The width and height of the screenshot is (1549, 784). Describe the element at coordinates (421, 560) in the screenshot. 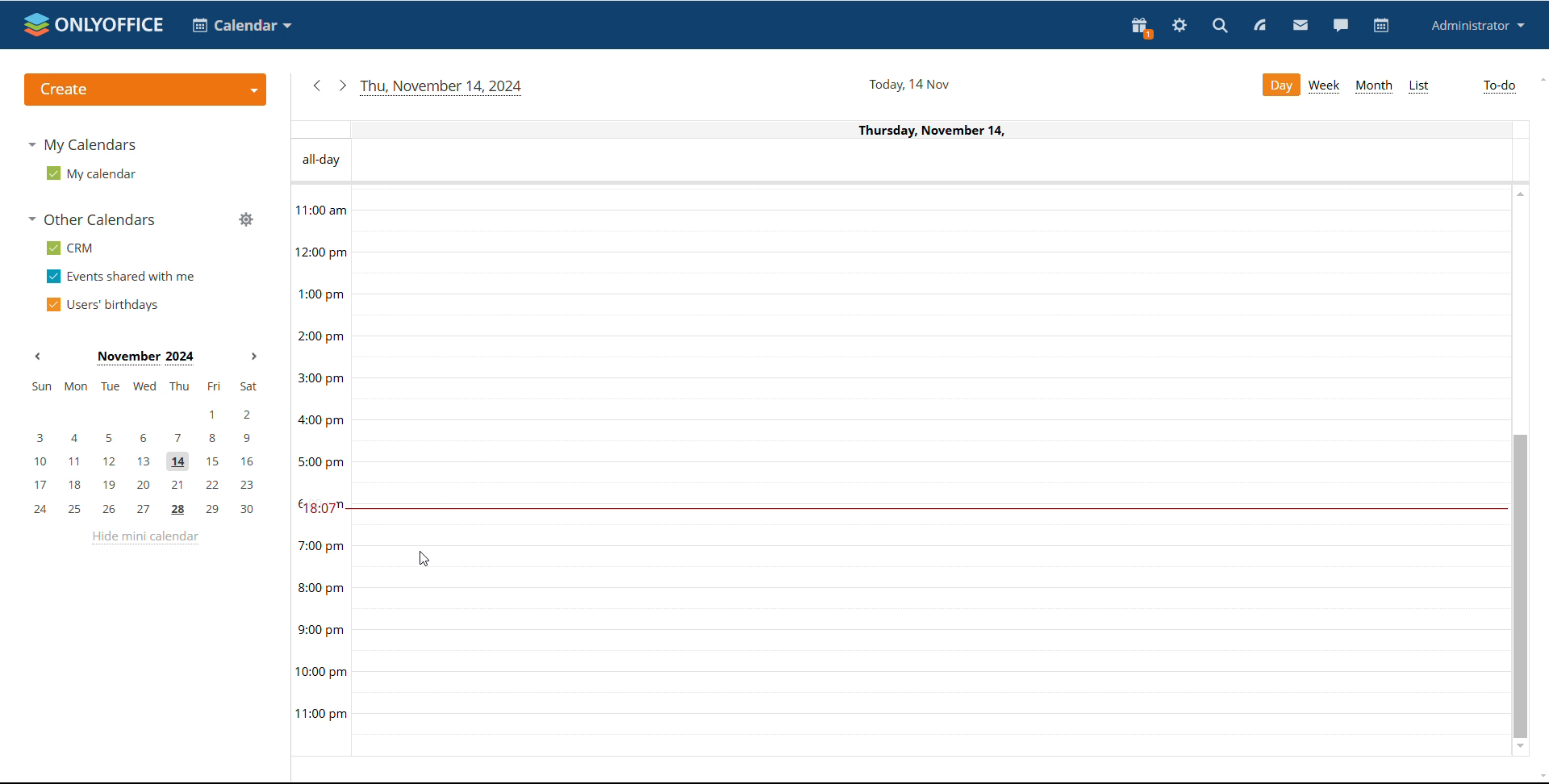

I see `cursor` at that location.